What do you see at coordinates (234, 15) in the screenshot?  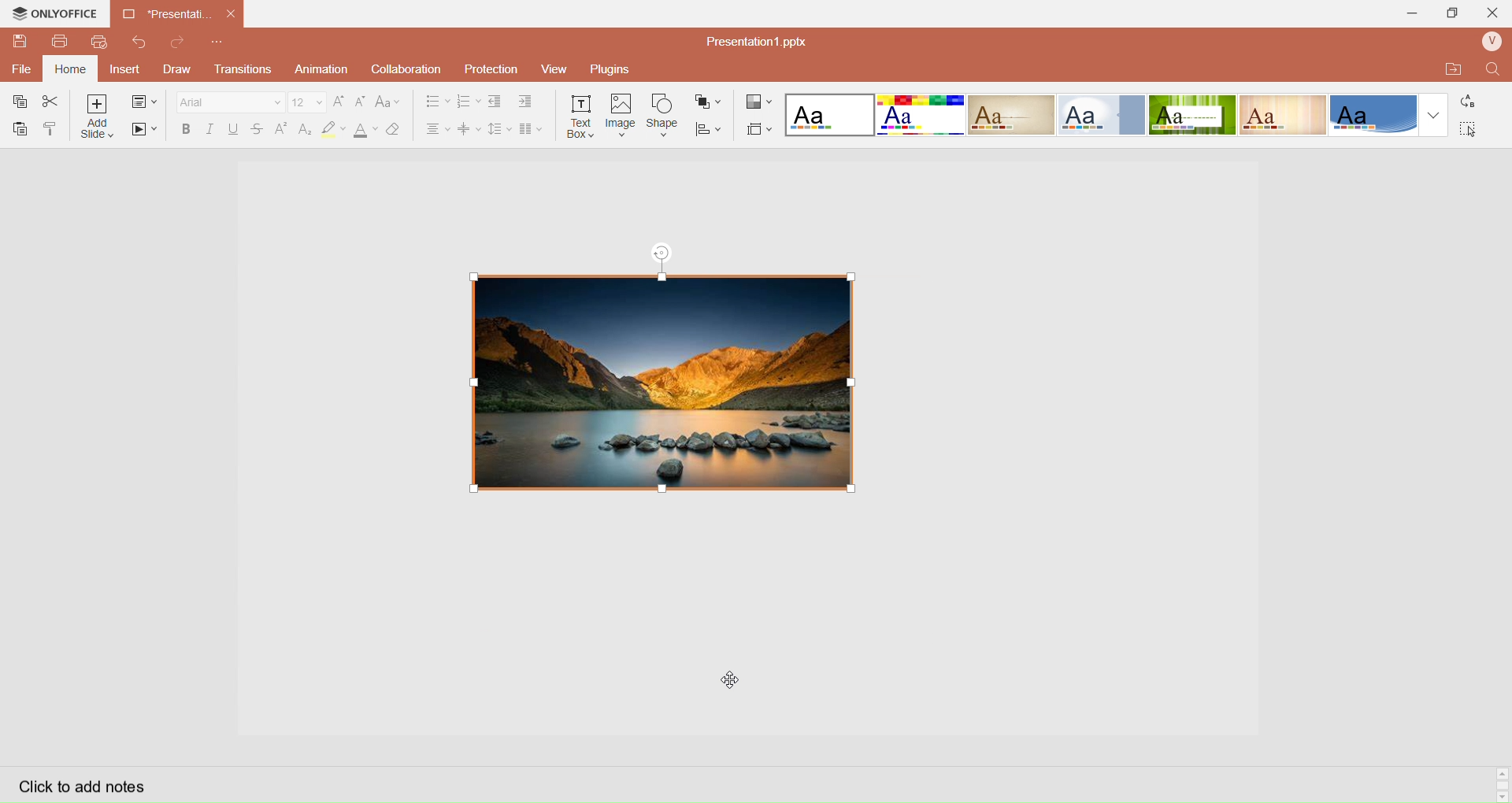 I see `close document` at bounding box center [234, 15].